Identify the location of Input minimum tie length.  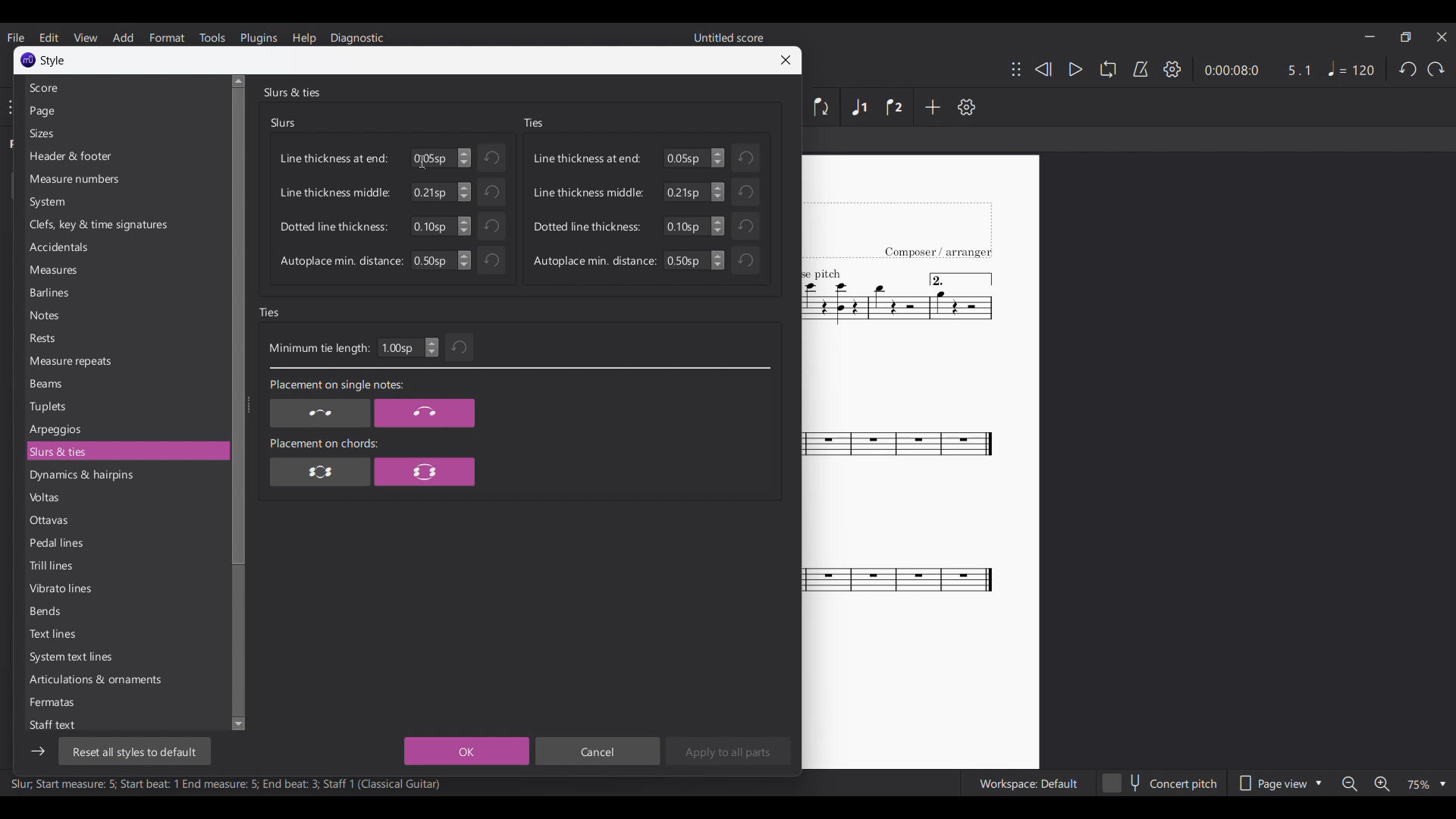
(400, 347).